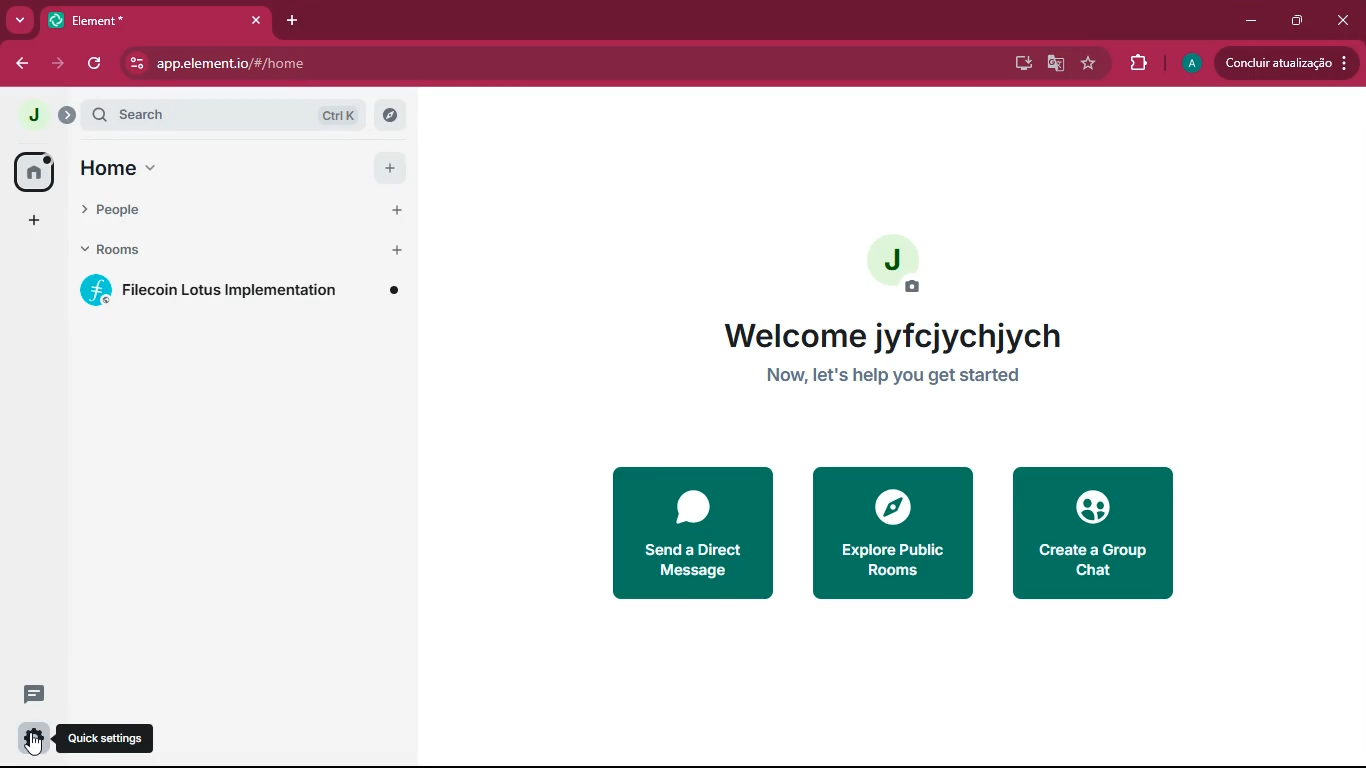 The width and height of the screenshot is (1366, 768). What do you see at coordinates (691, 532) in the screenshot?
I see `send` at bounding box center [691, 532].